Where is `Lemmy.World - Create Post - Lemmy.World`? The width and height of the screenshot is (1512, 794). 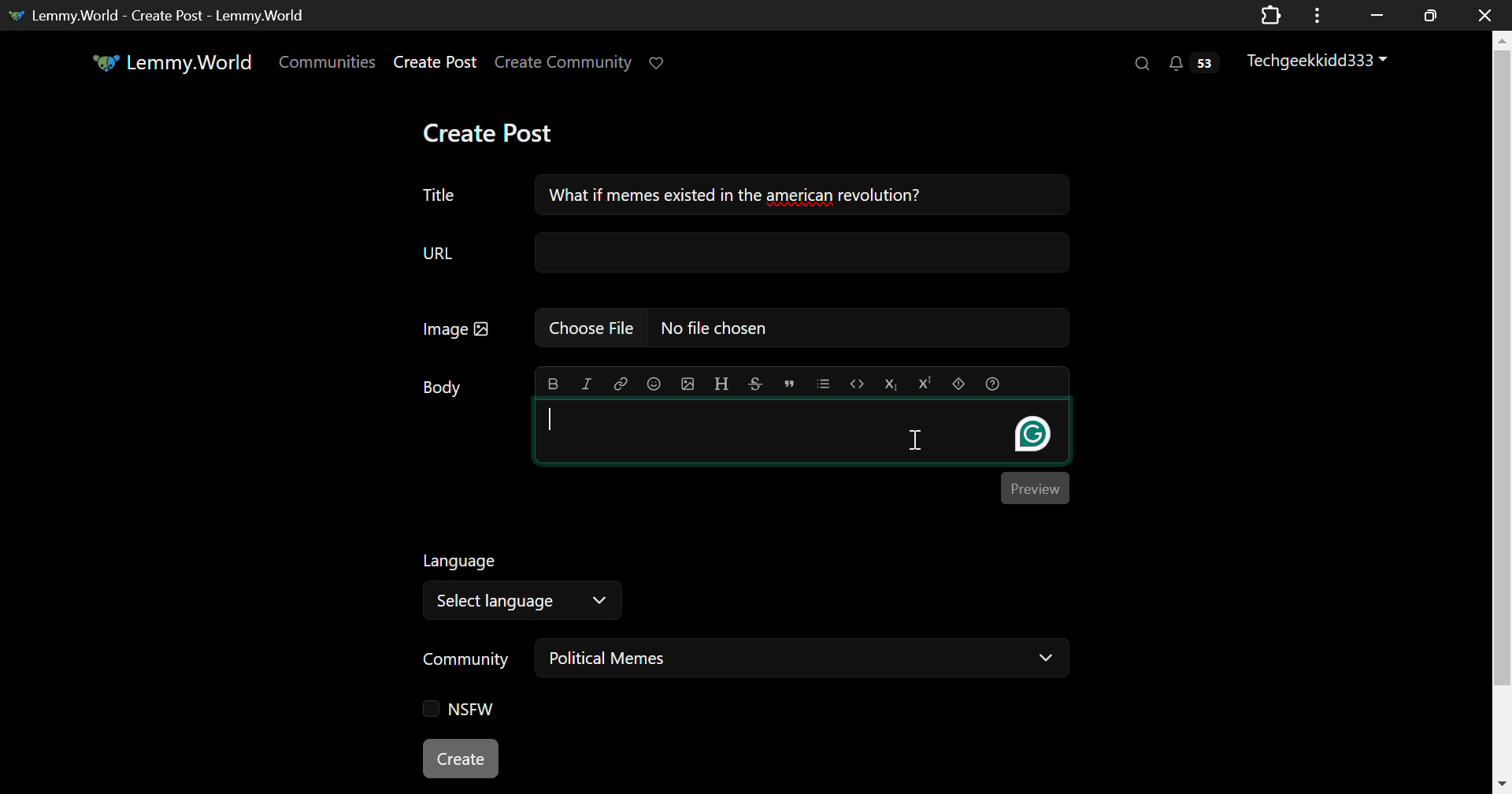
Lemmy.World - Create Post - Lemmy.World is located at coordinates (169, 15).